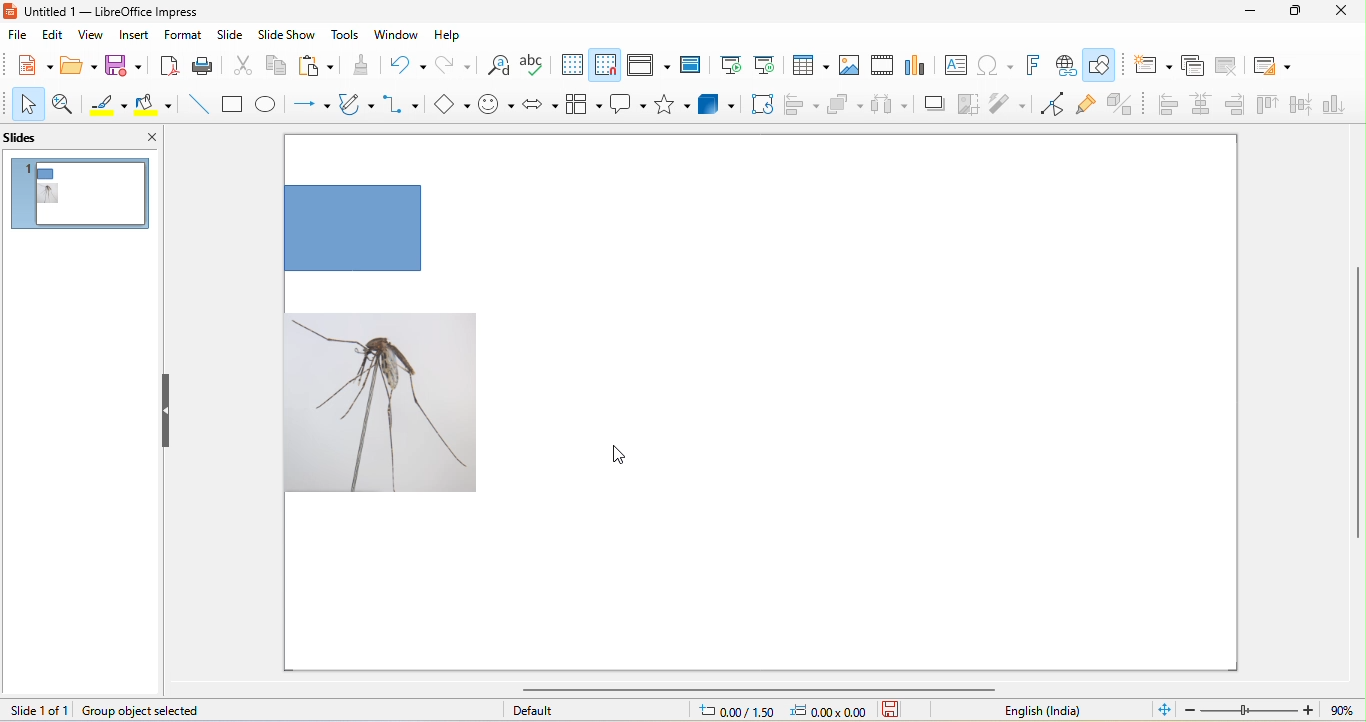  I want to click on untitled 1- libreoffice impress, so click(126, 13).